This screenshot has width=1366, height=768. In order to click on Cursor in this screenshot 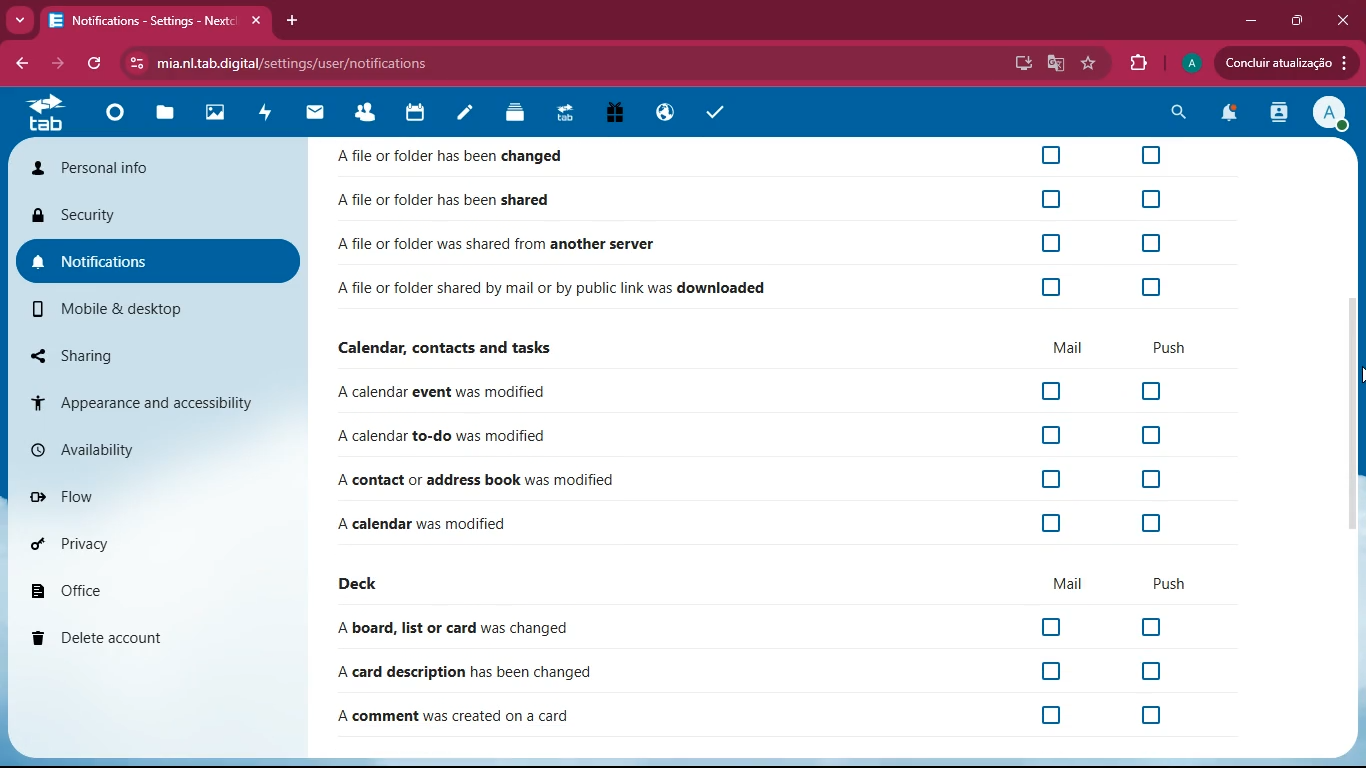, I will do `click(1357, 377)`.